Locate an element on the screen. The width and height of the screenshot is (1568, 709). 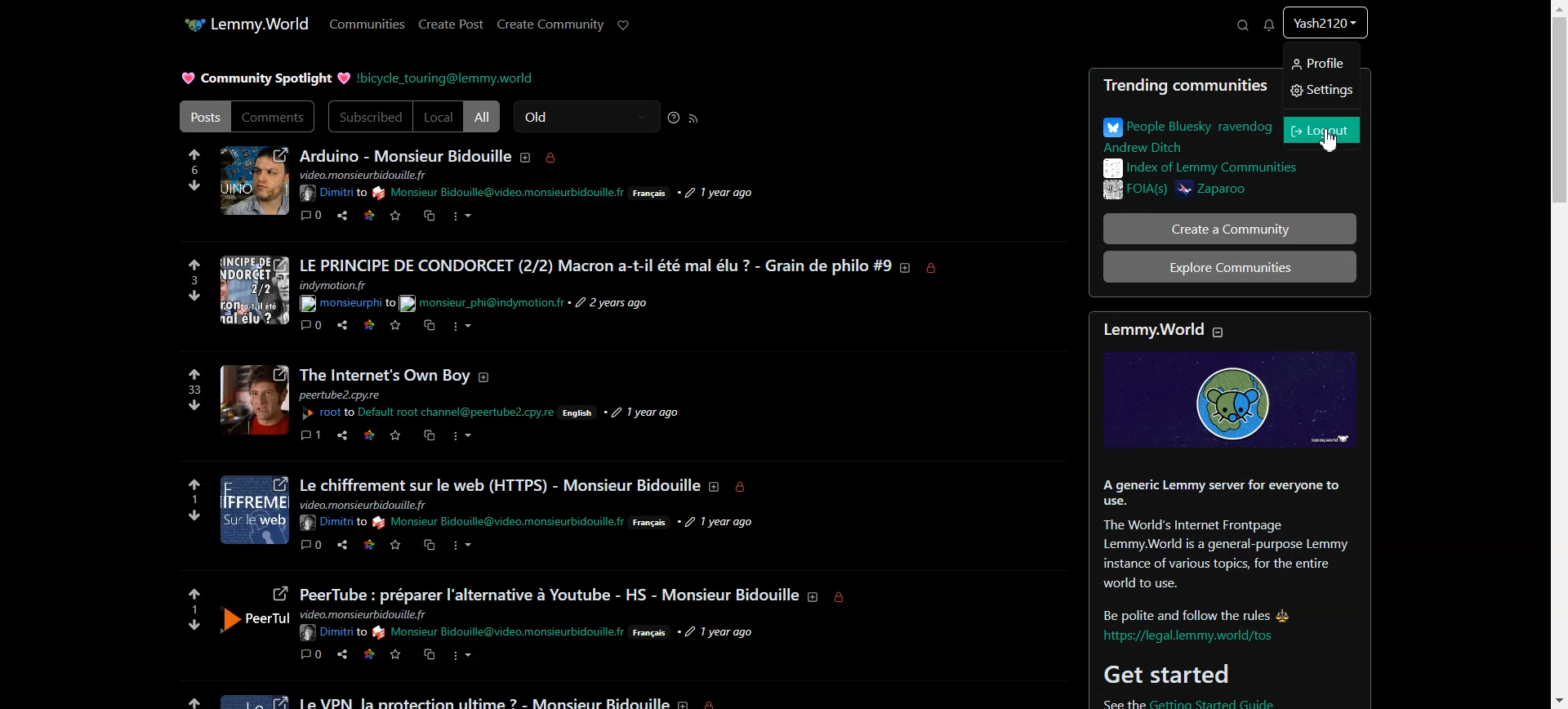
Comments is located at coordinates (276, 115).